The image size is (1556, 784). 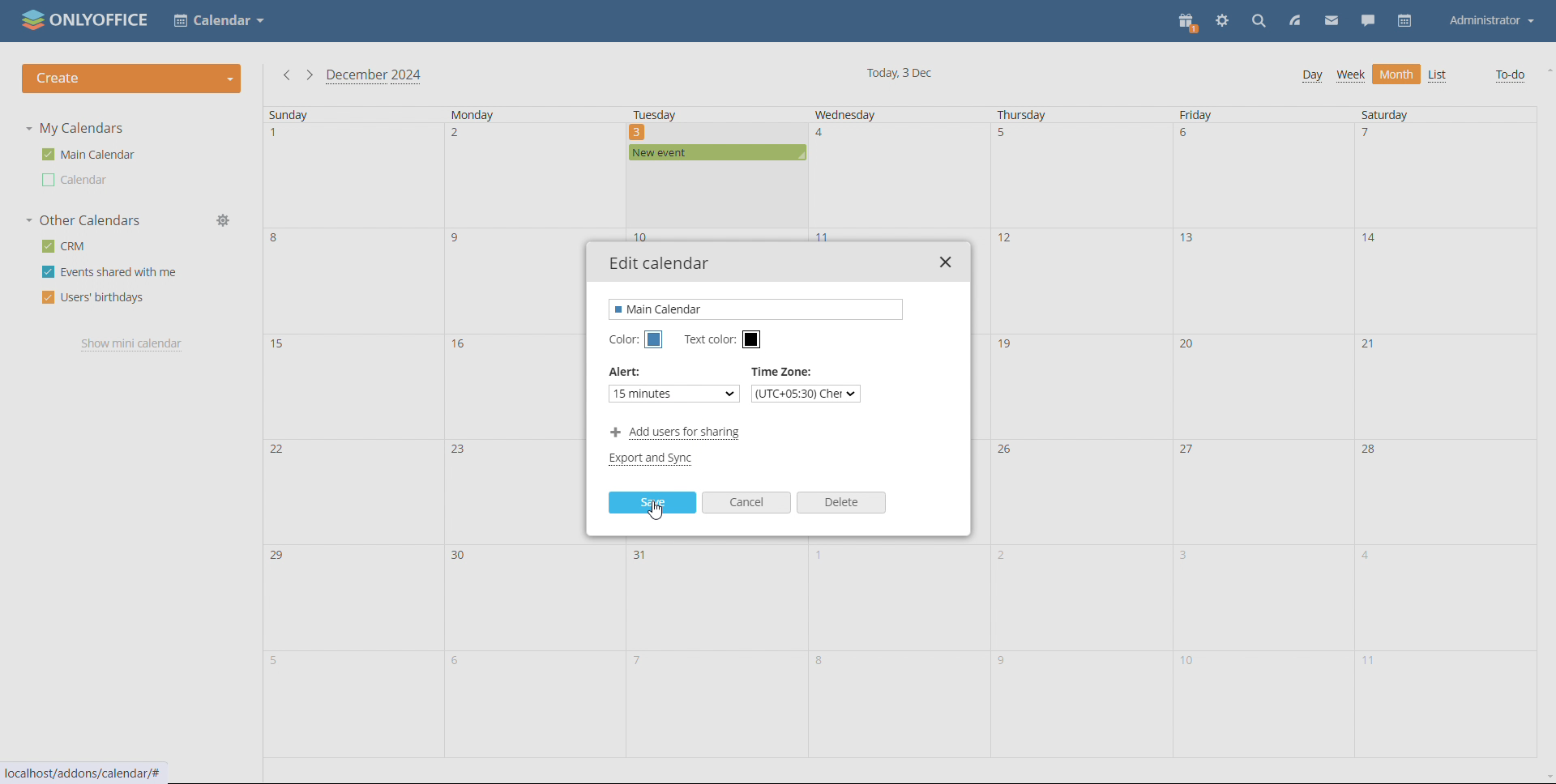 What do you see at coordinates (758, 309) in the screenshot?
I see `edit name` at bounding box center [758, 309].